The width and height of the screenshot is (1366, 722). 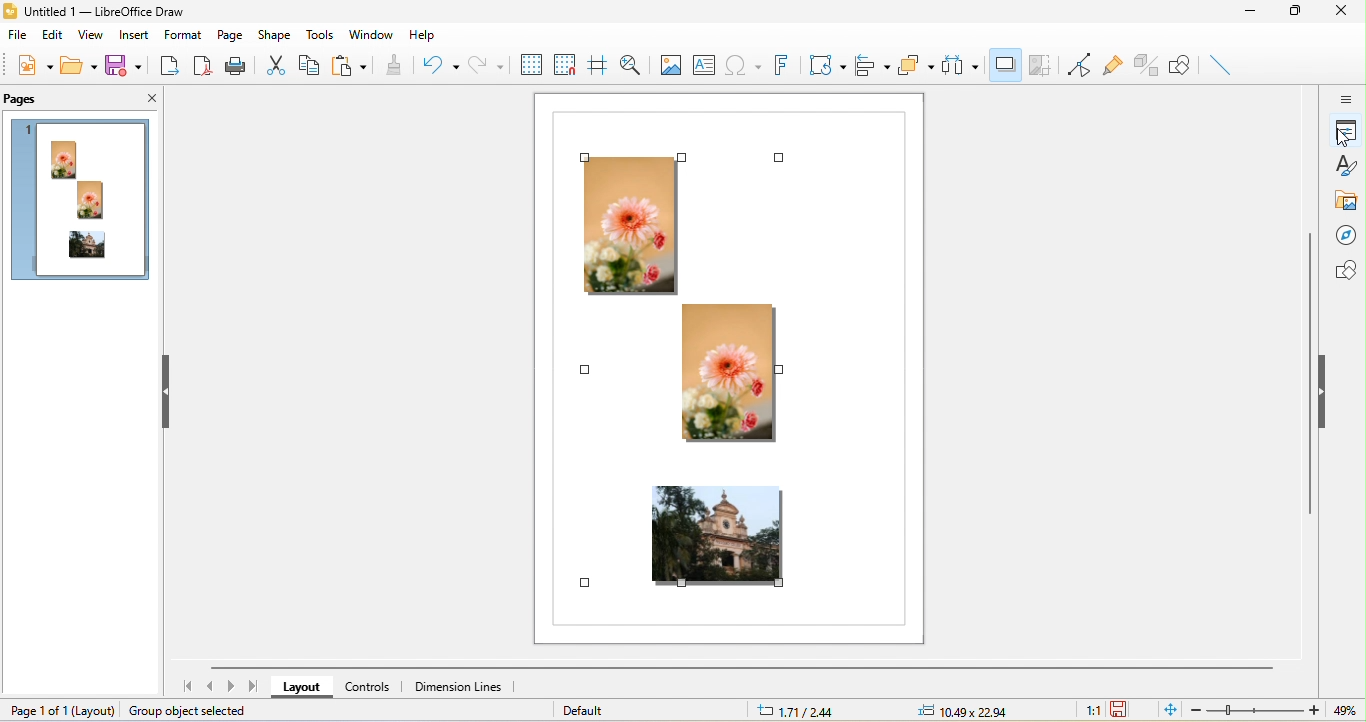 I want to click on copy, so click(x=309, y=68).